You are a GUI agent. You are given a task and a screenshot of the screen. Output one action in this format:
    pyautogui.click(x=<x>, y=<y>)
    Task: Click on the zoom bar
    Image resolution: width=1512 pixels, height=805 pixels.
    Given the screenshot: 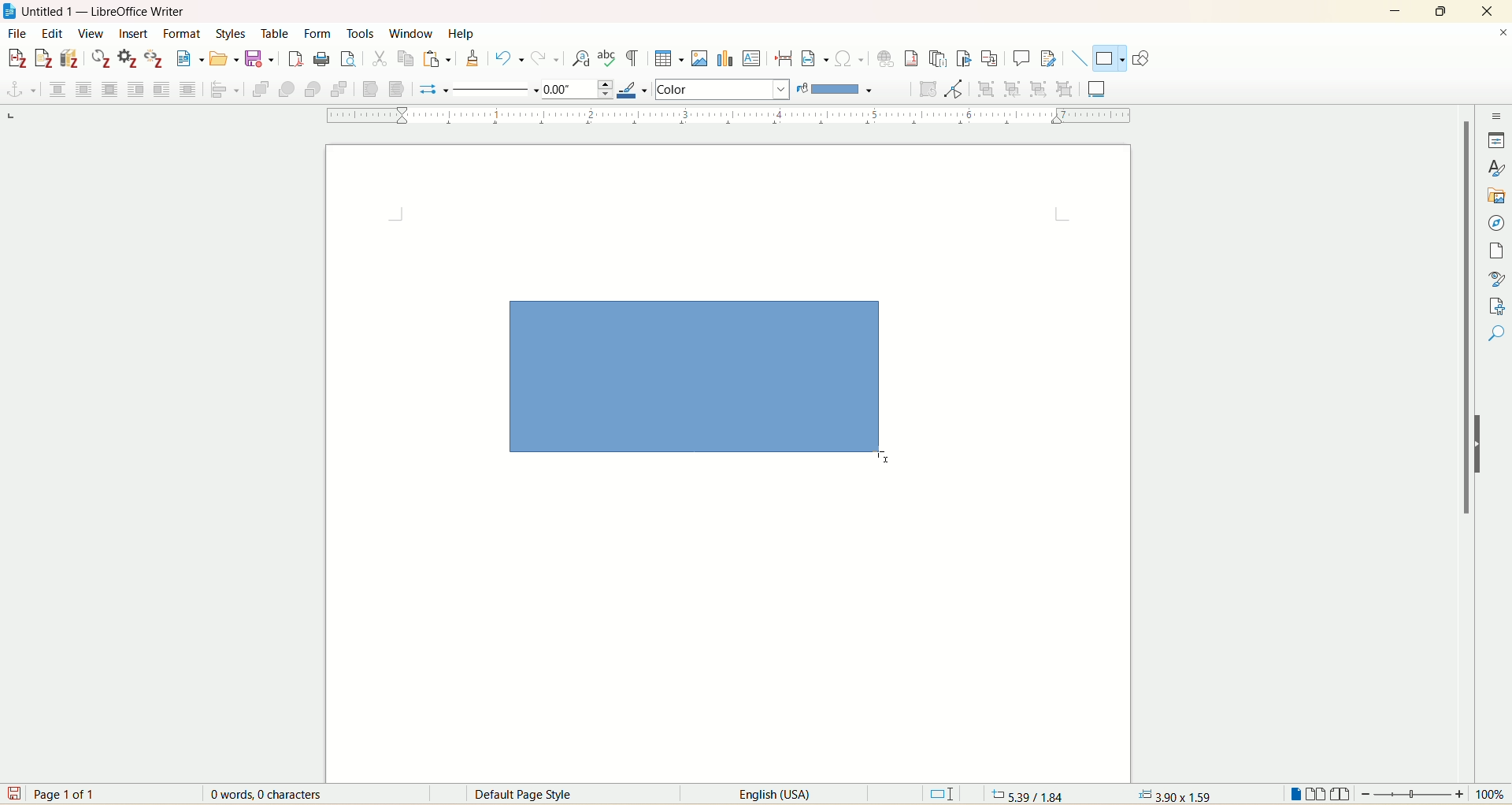 What is the action you would take?
    pyautogui.click(x=1413, y=793)
    